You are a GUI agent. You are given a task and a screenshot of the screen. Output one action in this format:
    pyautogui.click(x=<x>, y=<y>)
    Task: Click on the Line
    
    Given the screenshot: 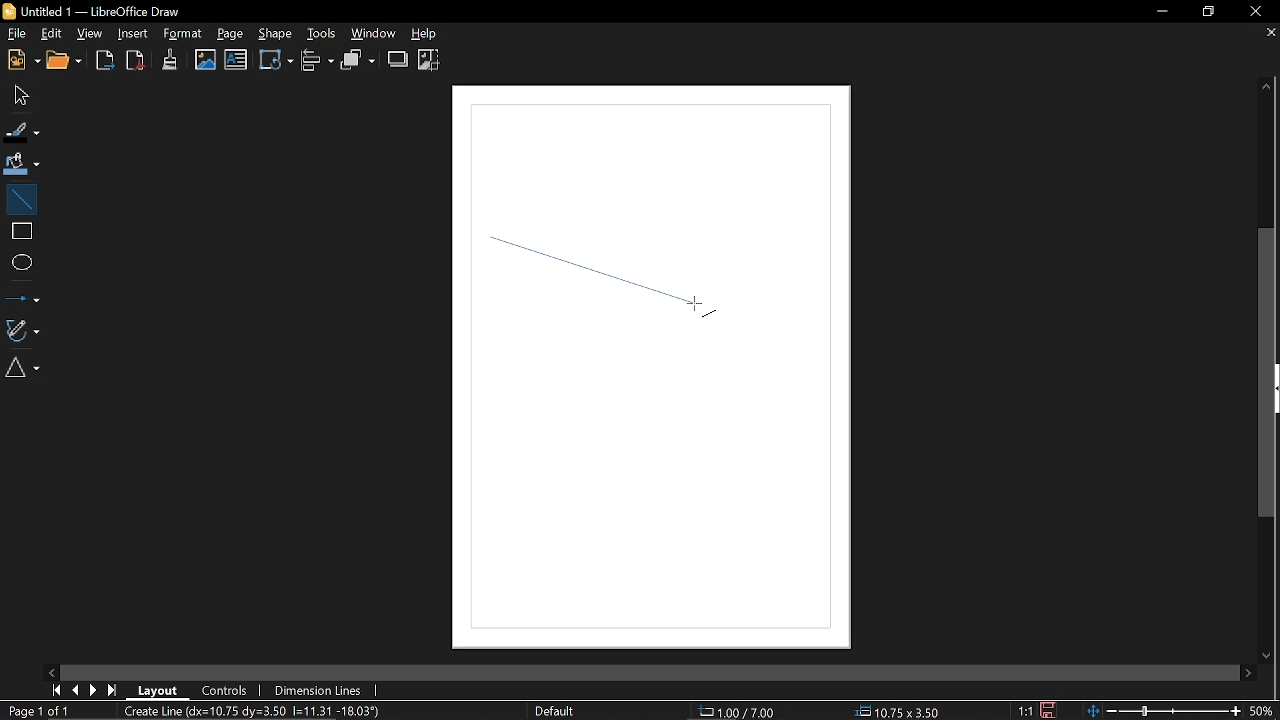 What is the action you would take?
    pyautogui.click(x=20, y=197)
    